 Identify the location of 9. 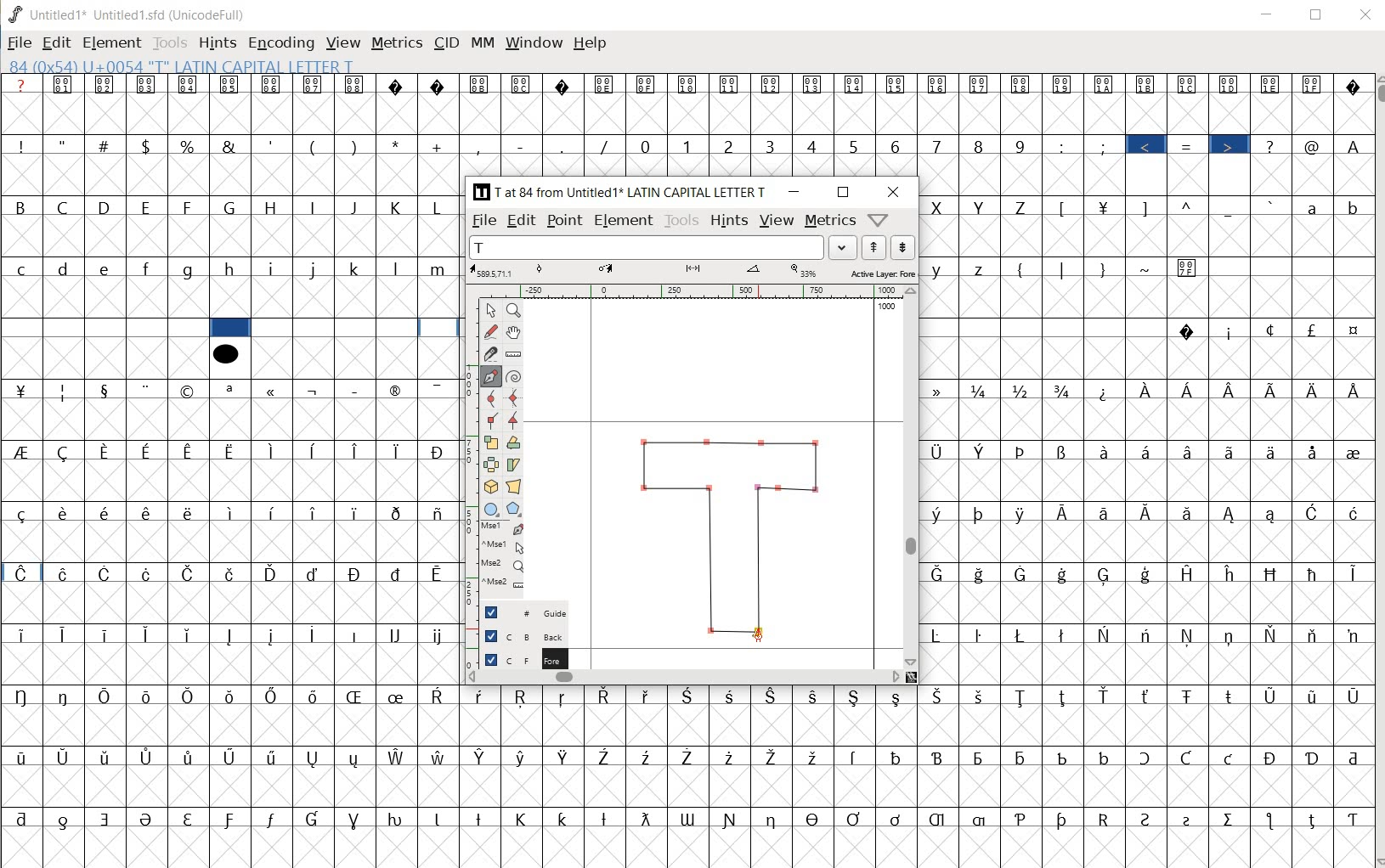
(1020, 146).